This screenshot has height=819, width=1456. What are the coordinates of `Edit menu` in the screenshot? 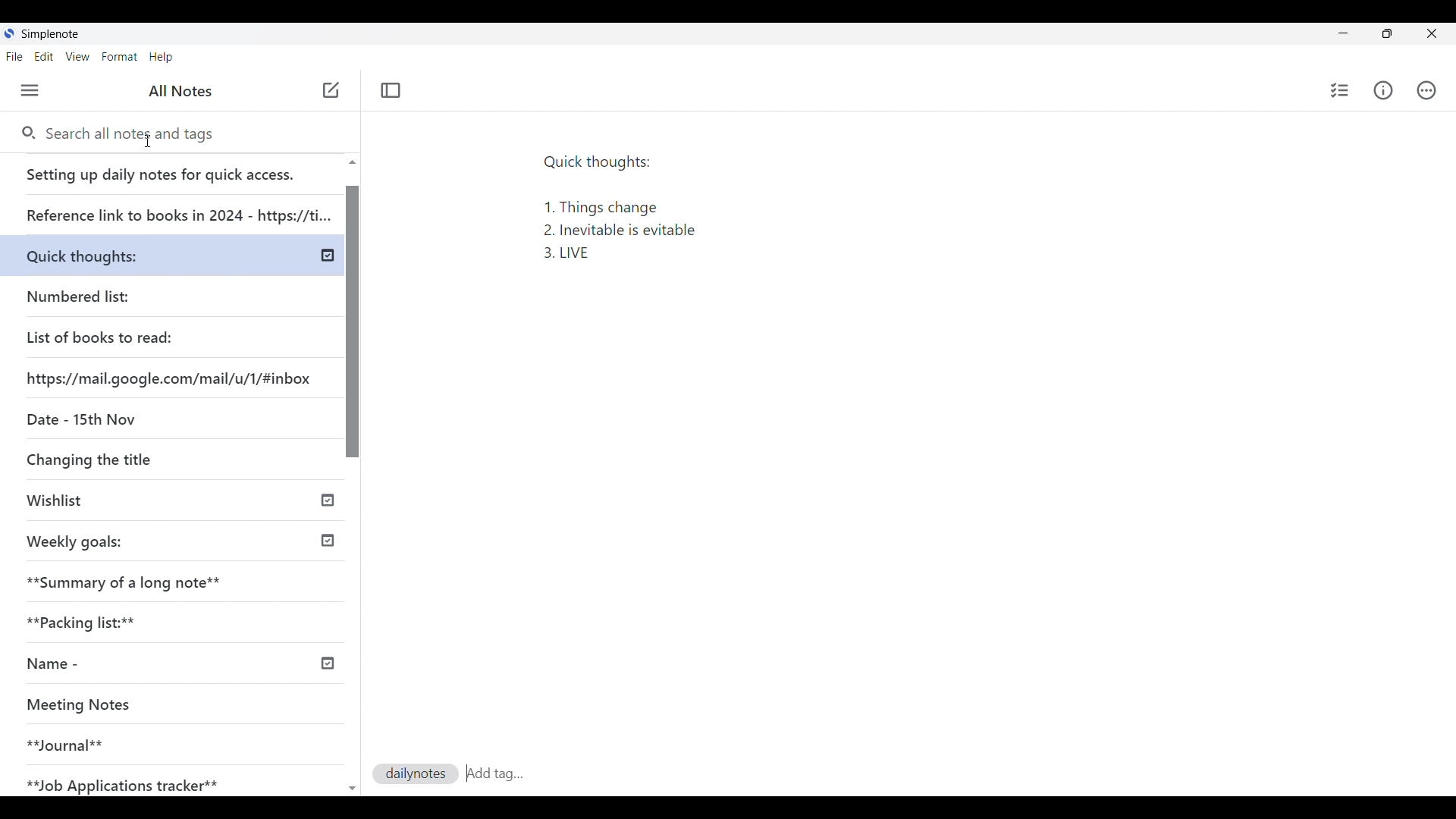 It's located at (44, 57).